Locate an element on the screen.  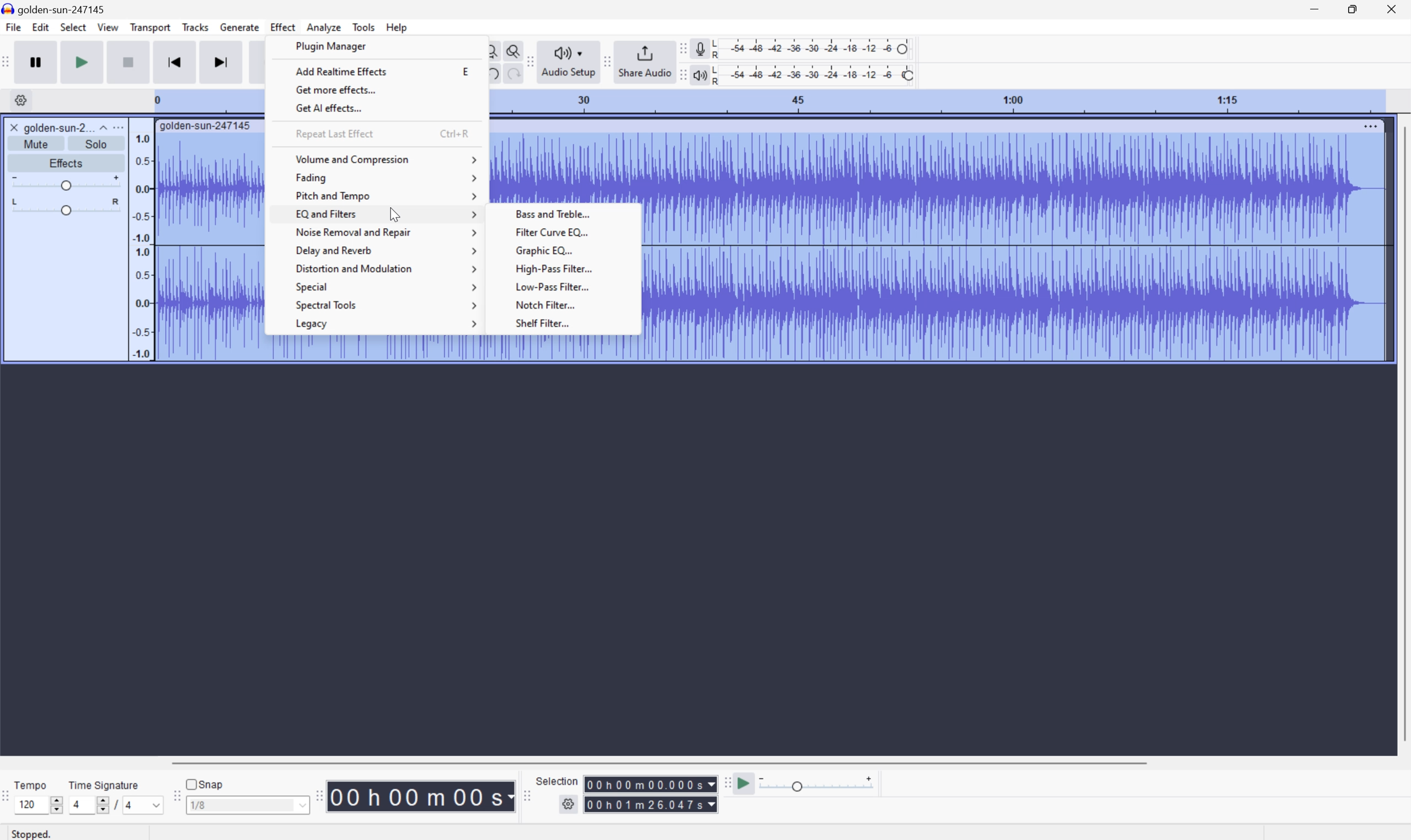
Pitch and tempo is located at coordinates (385, 195).